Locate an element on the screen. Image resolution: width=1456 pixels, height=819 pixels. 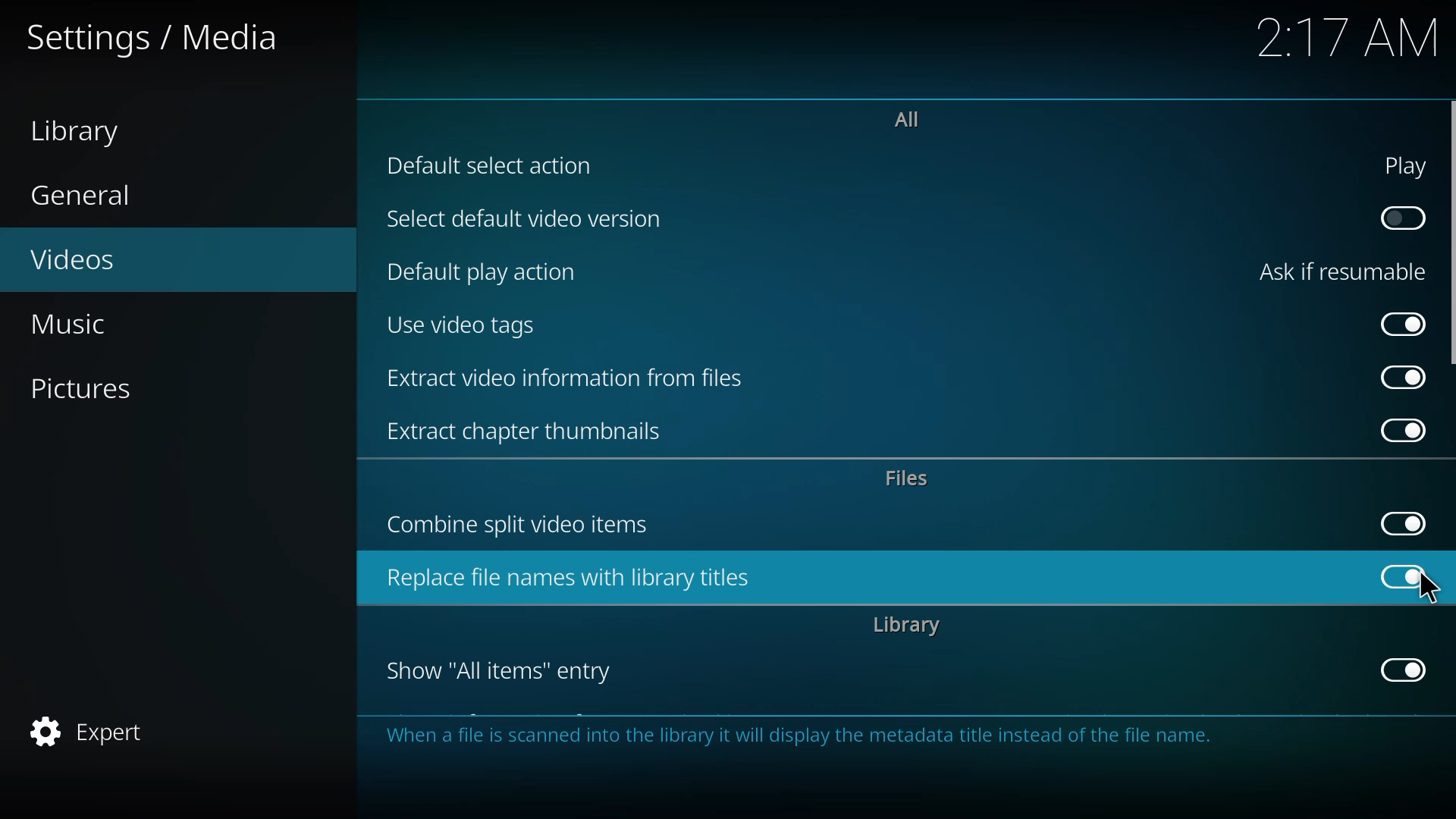
music is located at coordinates (80, 325).